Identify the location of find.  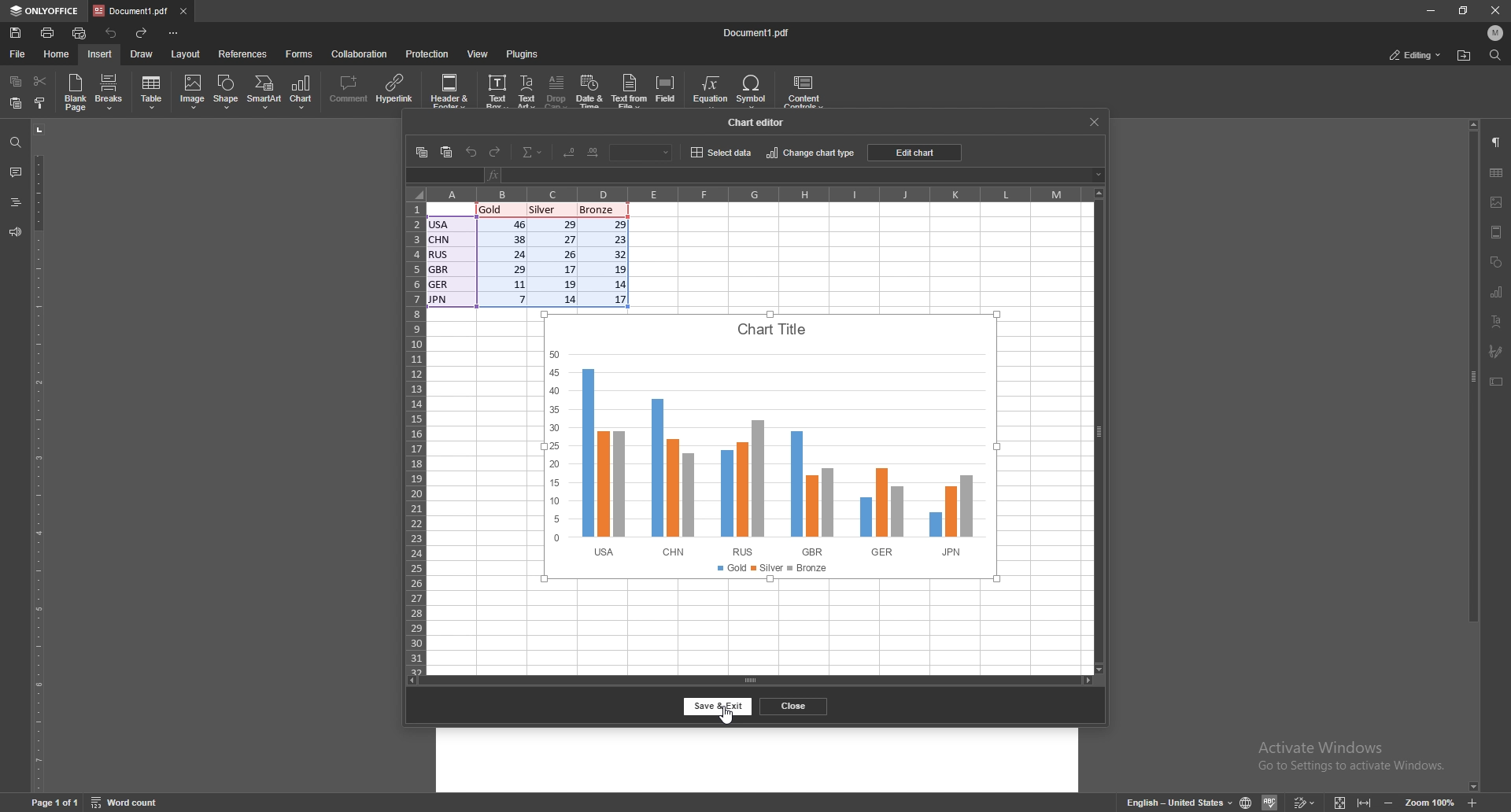
(16, 142).